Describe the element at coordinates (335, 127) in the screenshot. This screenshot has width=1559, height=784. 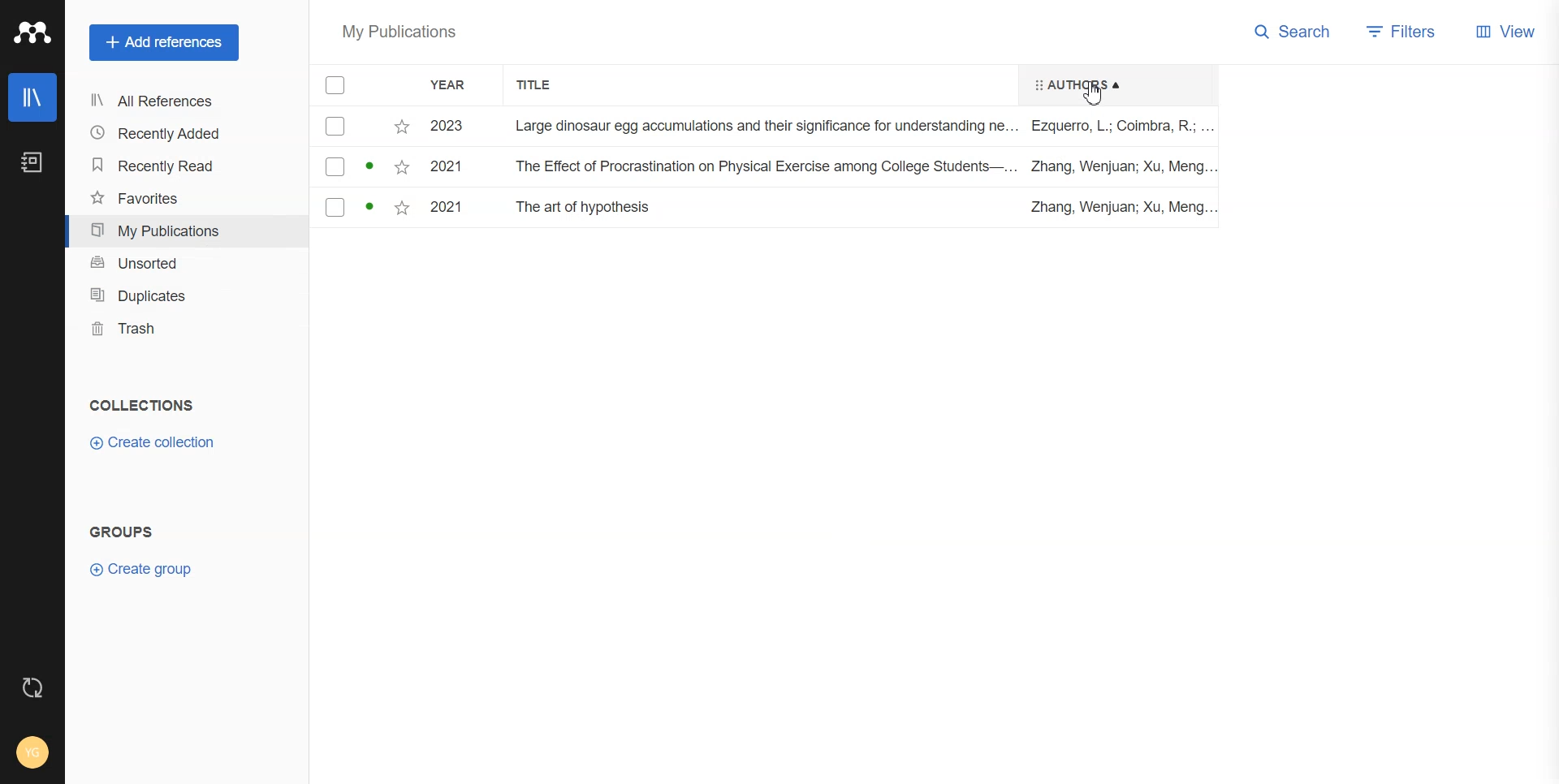
I see `Checkmark` at that location.